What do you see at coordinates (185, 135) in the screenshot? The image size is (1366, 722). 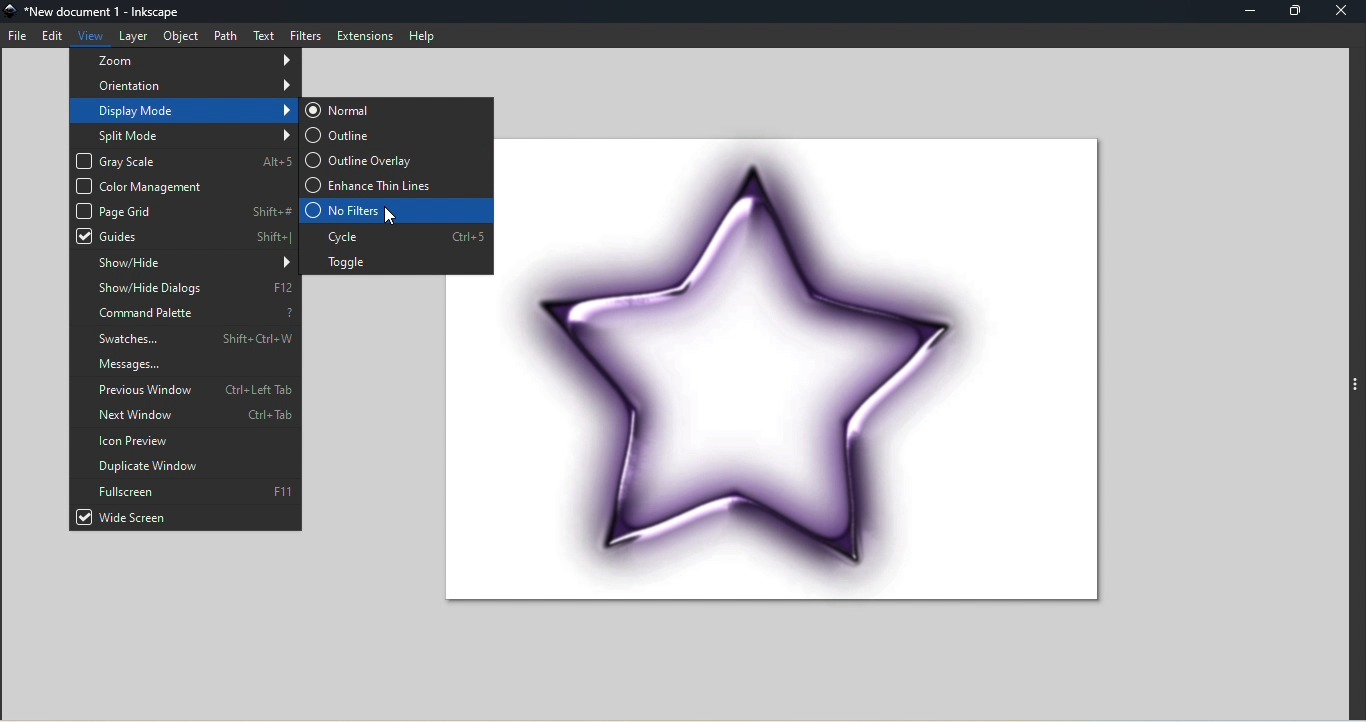 I see `Split mode` at bounding box center [185, 135].